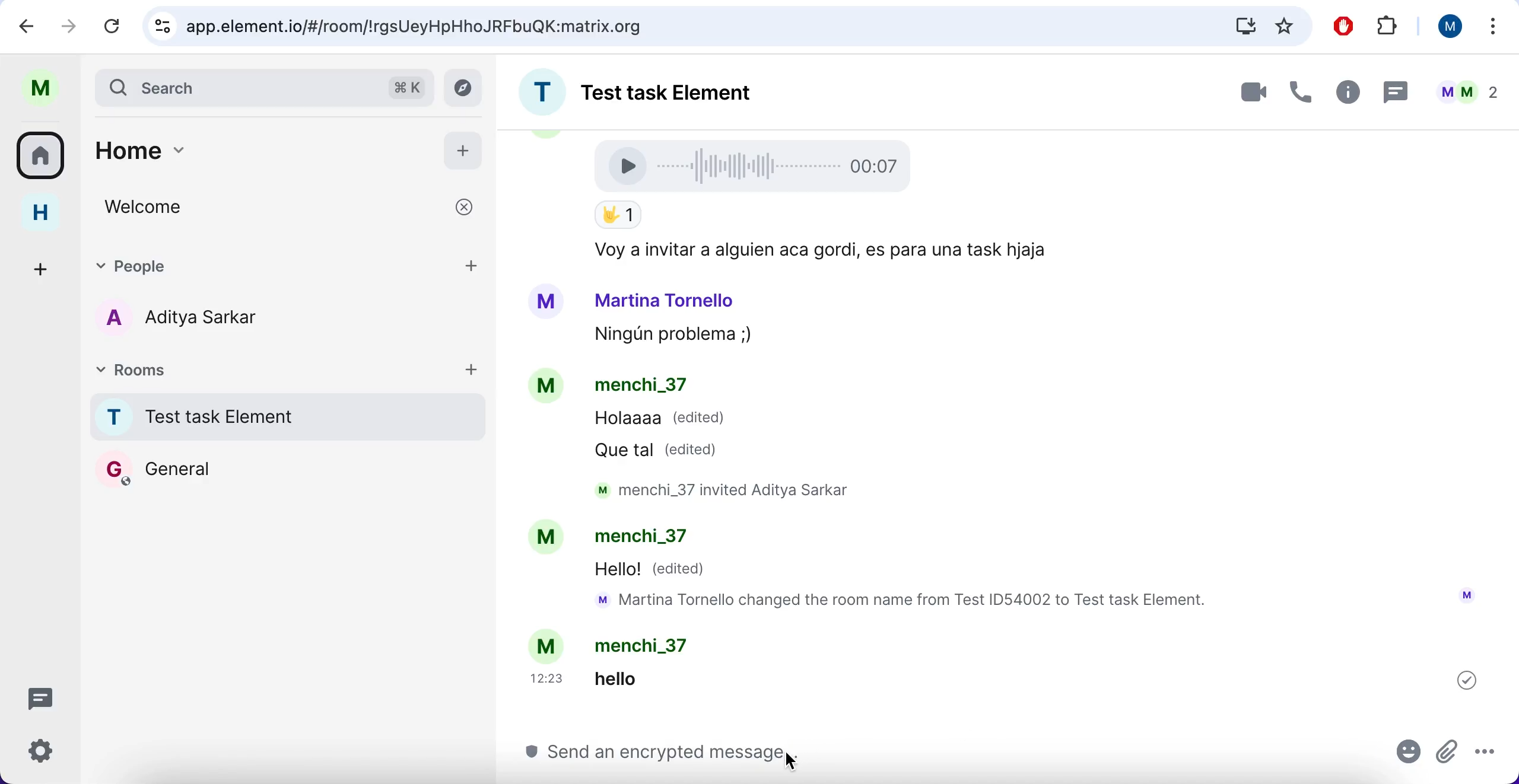 This screenshot has width=1519, height=784. I want to click on reload current page, so click(112, 26).